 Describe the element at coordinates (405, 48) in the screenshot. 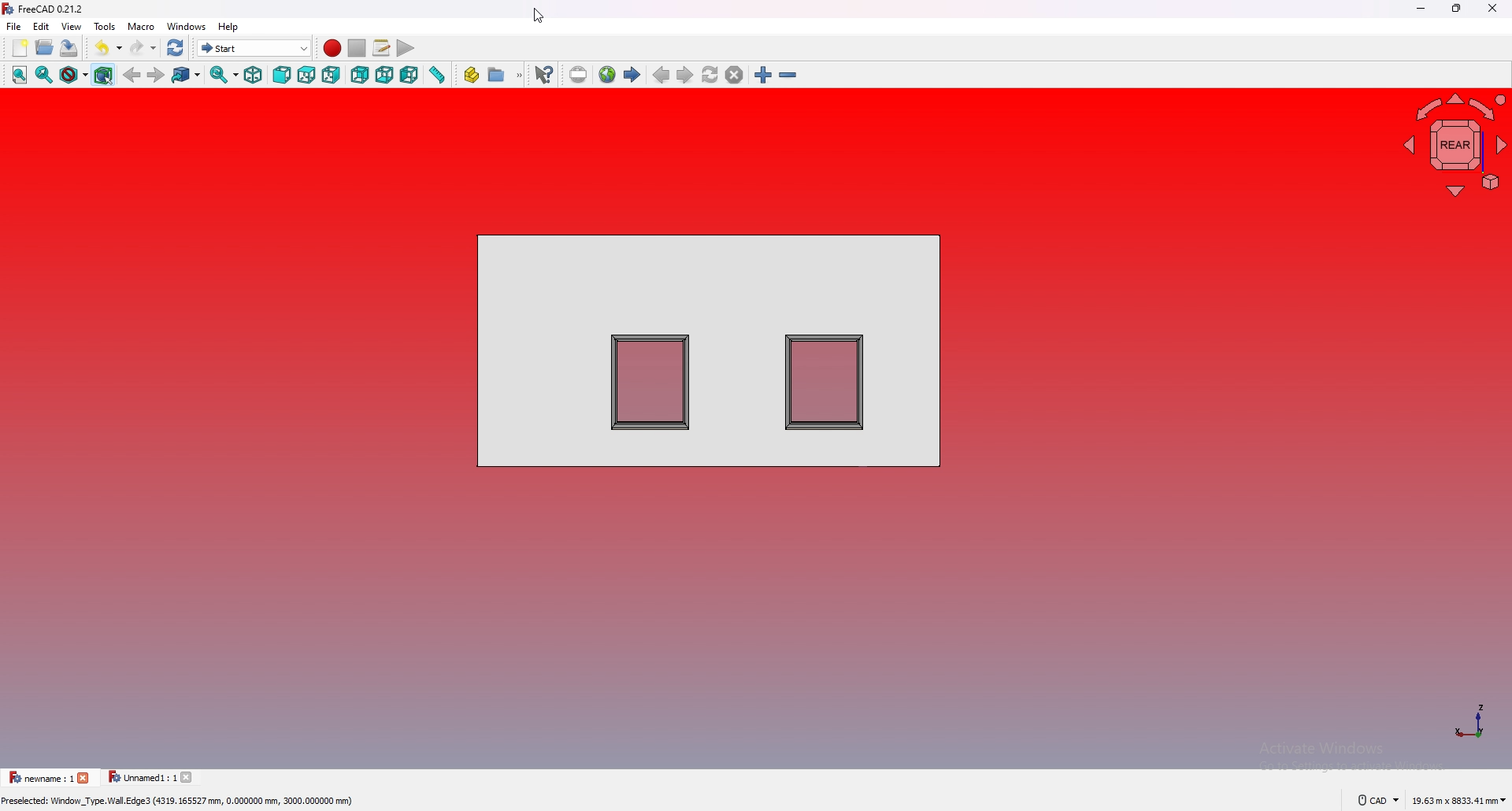

I see `execute macro` at that location.